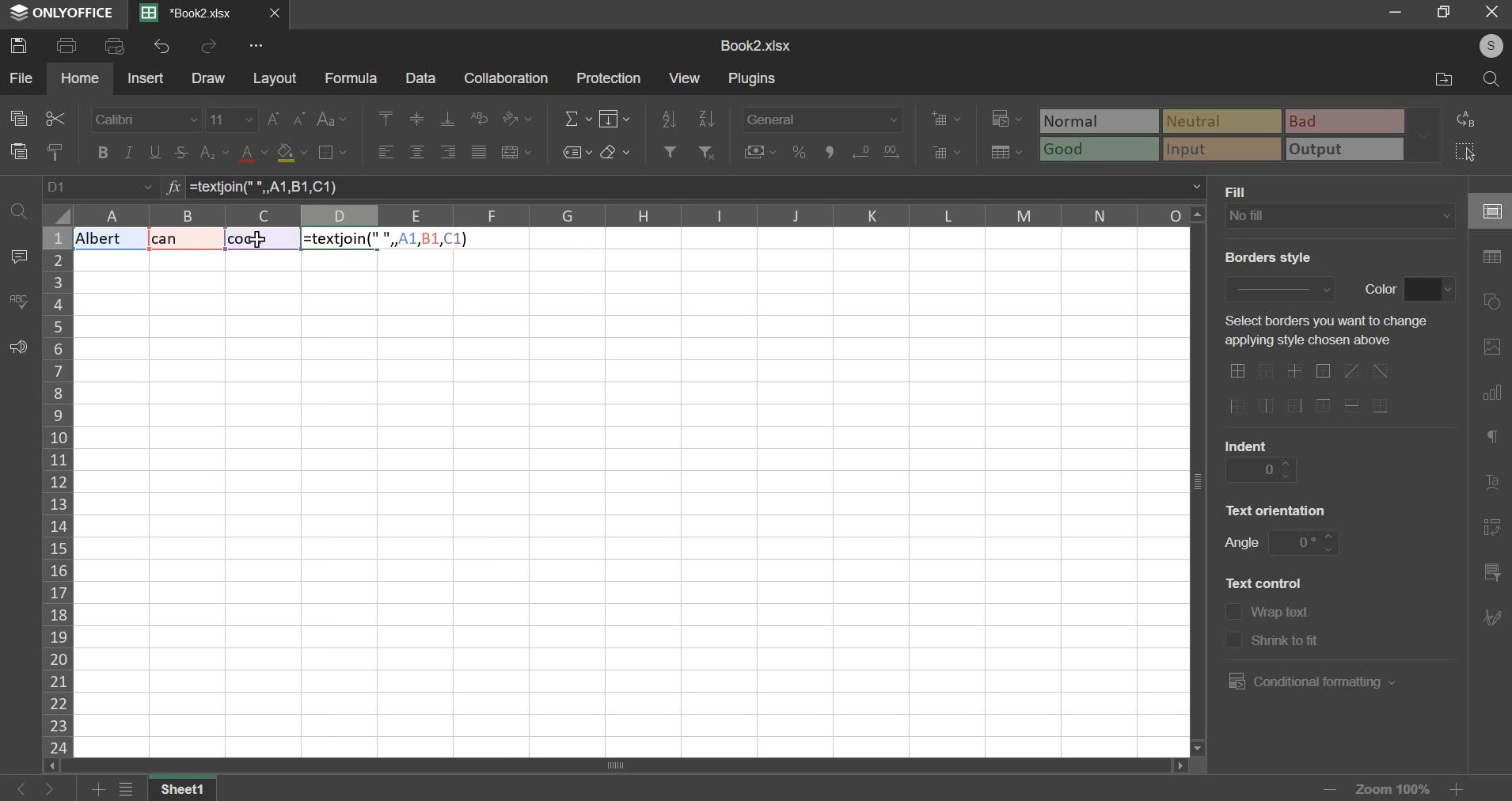  Describe the element at coordinates (188, 790) in the screenshot. I see `sheet name` at that location.